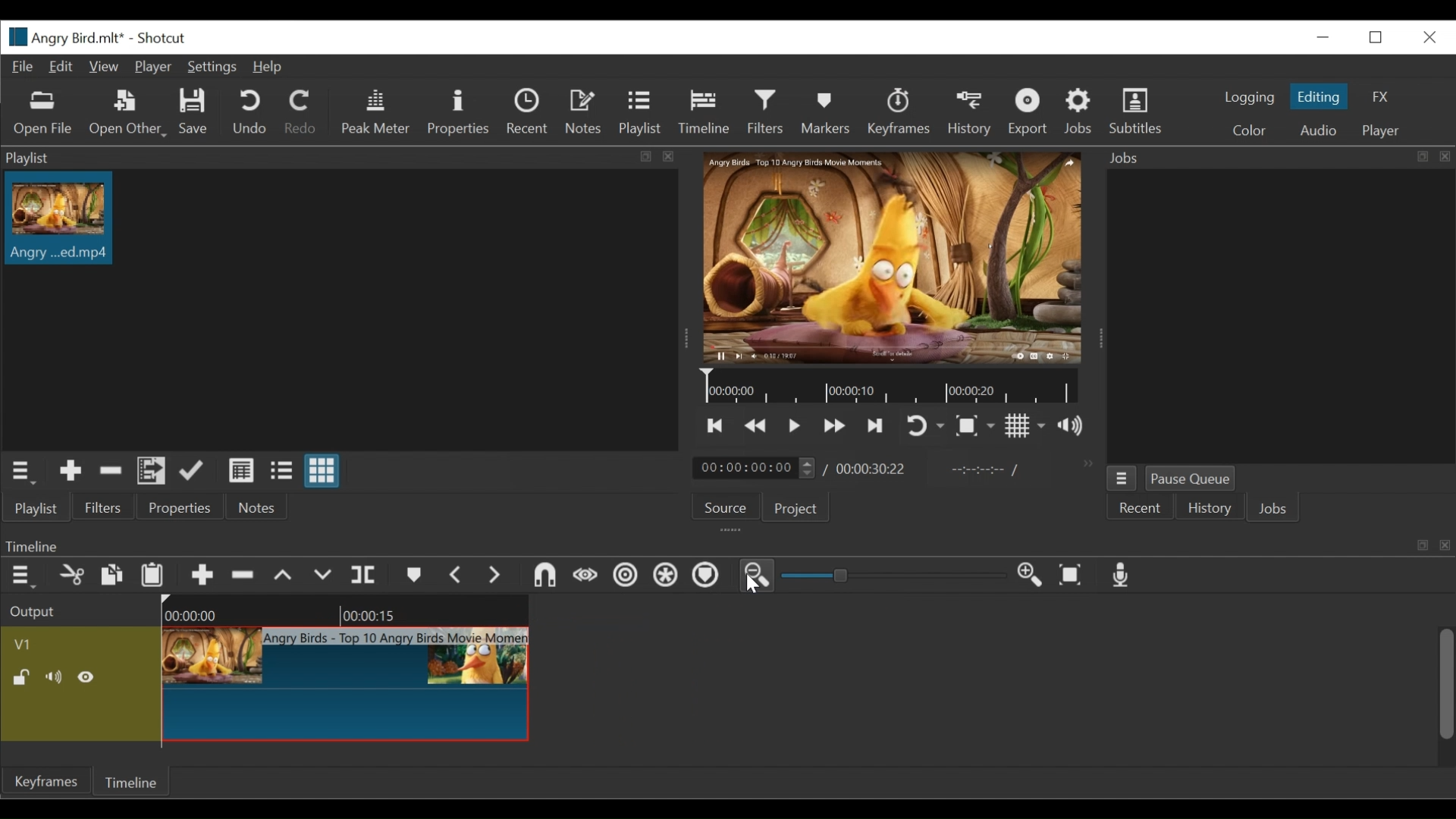 Image resolution: width=1456 pixels, height=819 pixels. What do you see at coordinates (873, 469) in the screenshot?
I see `Total Duration` at bounding box center [873, 469].